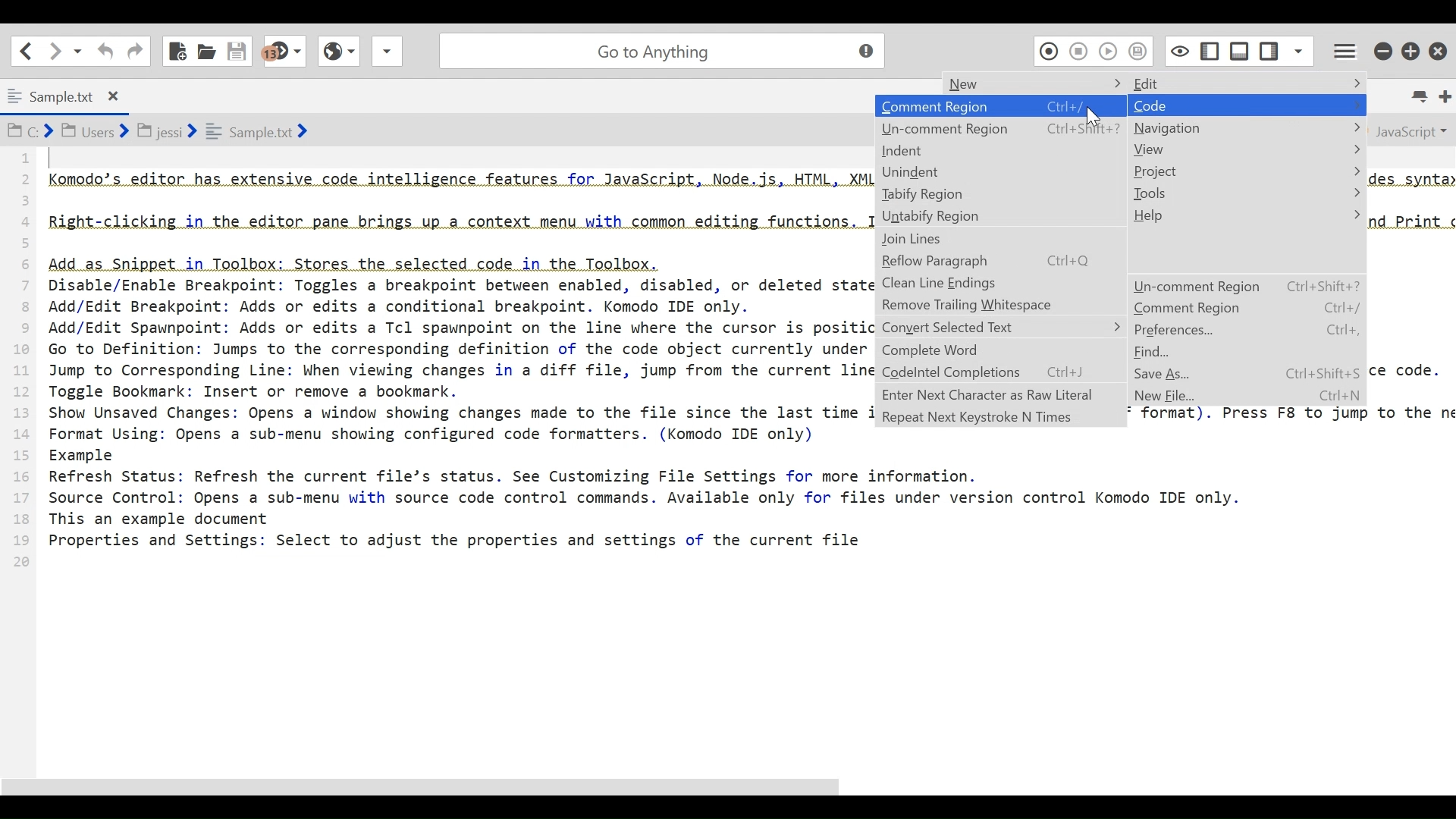  I want to click on Convert Selected Text, so click(1002, 326).